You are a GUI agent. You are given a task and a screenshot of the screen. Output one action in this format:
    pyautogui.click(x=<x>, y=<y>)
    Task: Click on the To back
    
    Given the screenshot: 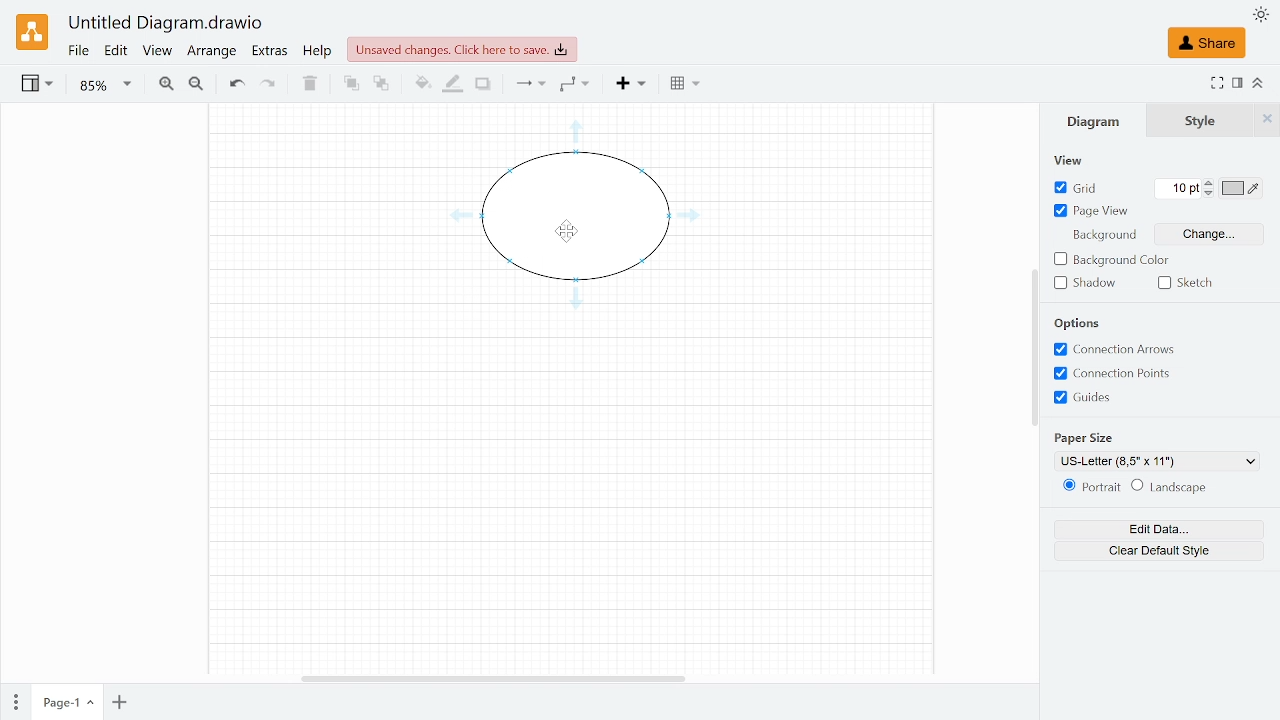 What is the action you would take?
    pyautogui.click(x=379, y=85)
    